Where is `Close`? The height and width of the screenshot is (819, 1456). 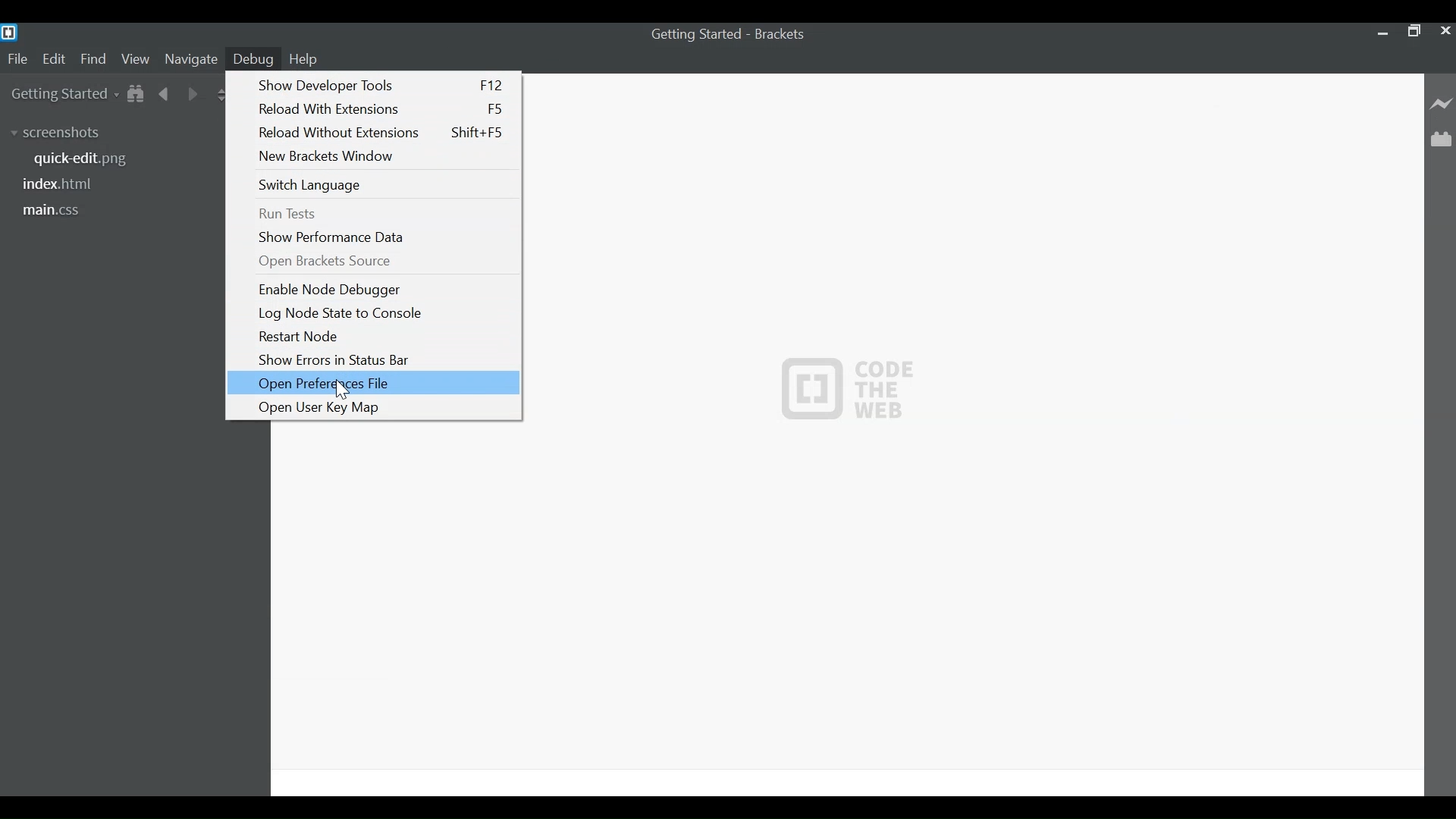
Close is located at coordinates (1445, 33).